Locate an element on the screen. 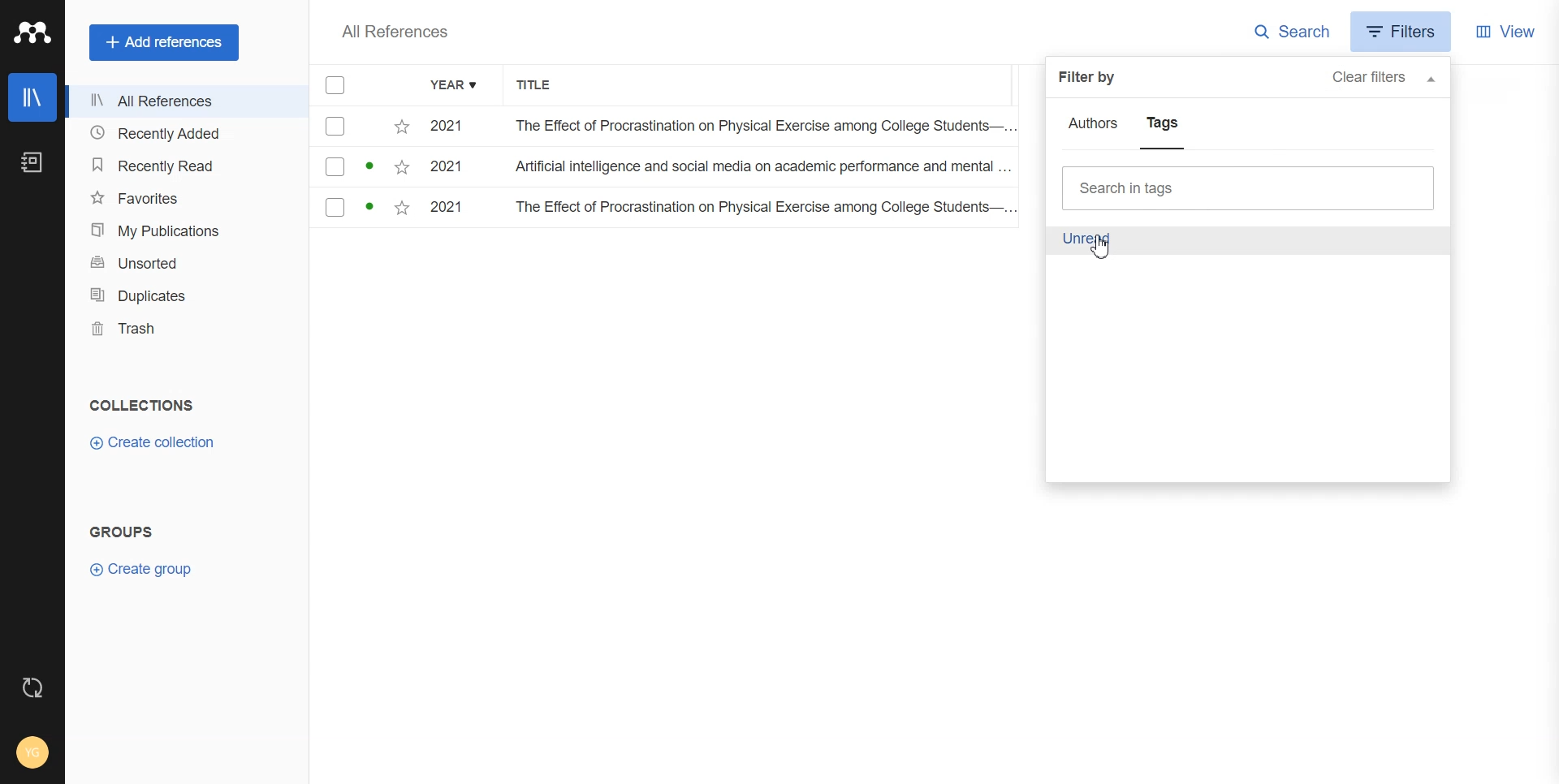 This screenshot has width=1559, height=784. Search is located at coordinates (1293, 32).